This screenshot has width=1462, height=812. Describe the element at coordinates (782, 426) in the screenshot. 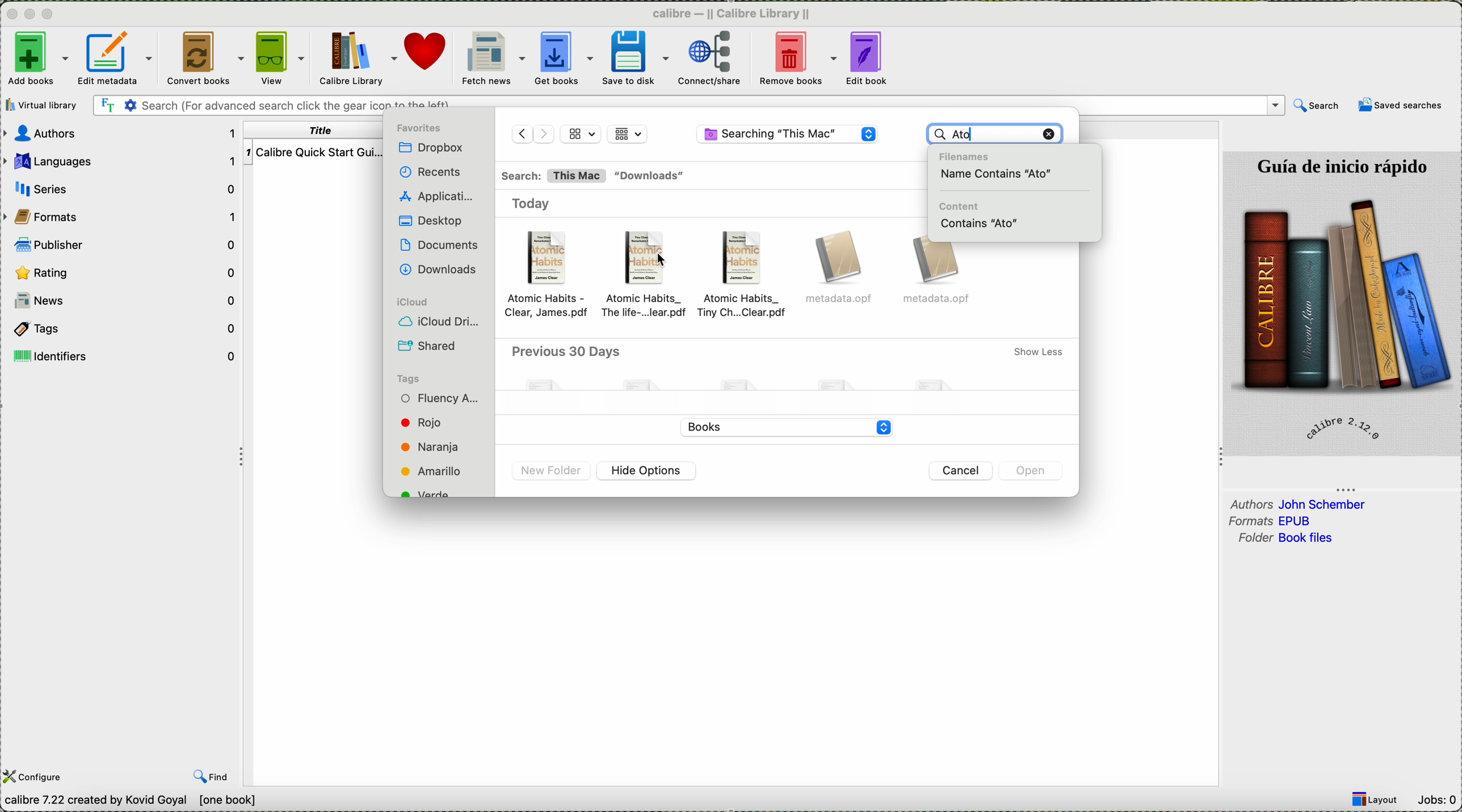

I see `books` at that location.